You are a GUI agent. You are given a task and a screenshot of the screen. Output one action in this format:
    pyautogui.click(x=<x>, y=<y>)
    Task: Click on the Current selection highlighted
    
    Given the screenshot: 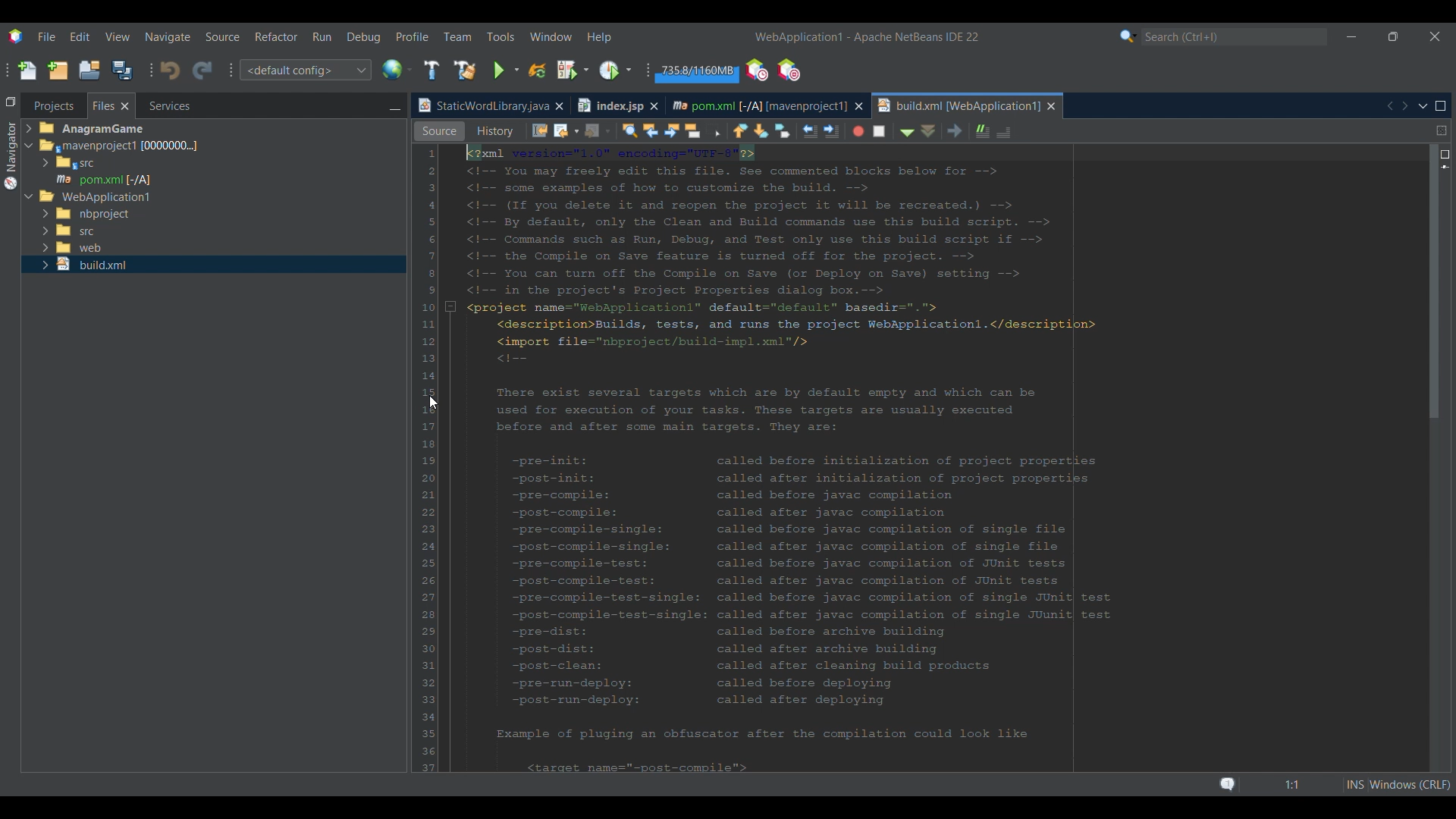 What is the action you would take?
    pyautogui.click(x=111, y=105)
    